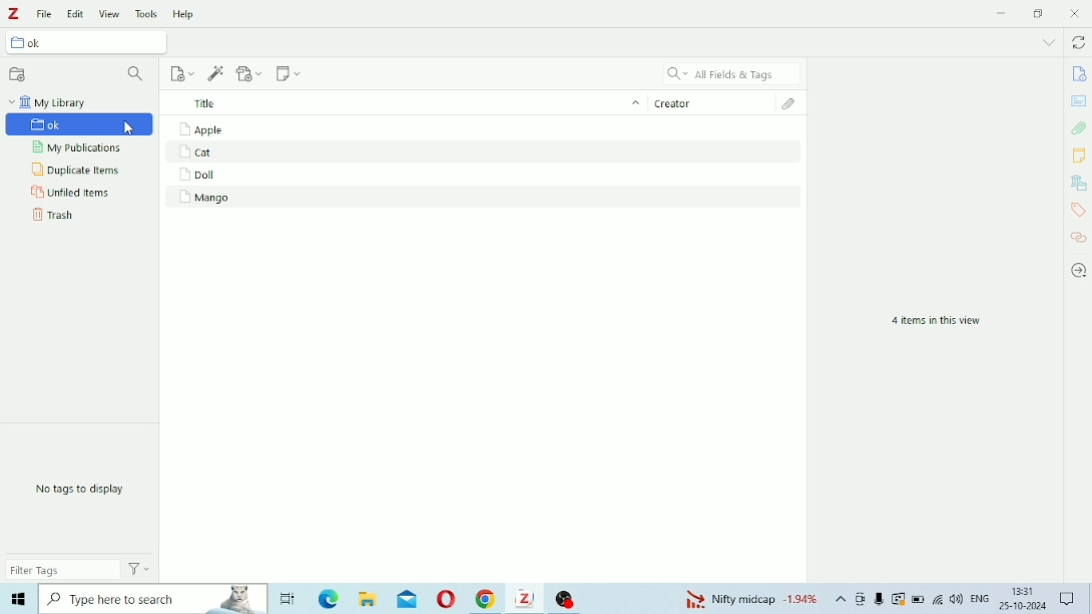 The image size is (1092, 614). What do you see at coordinates (1077, 183) in the screenshot?
I see `Libraries and Collections` at bounding box center [1077, 183].